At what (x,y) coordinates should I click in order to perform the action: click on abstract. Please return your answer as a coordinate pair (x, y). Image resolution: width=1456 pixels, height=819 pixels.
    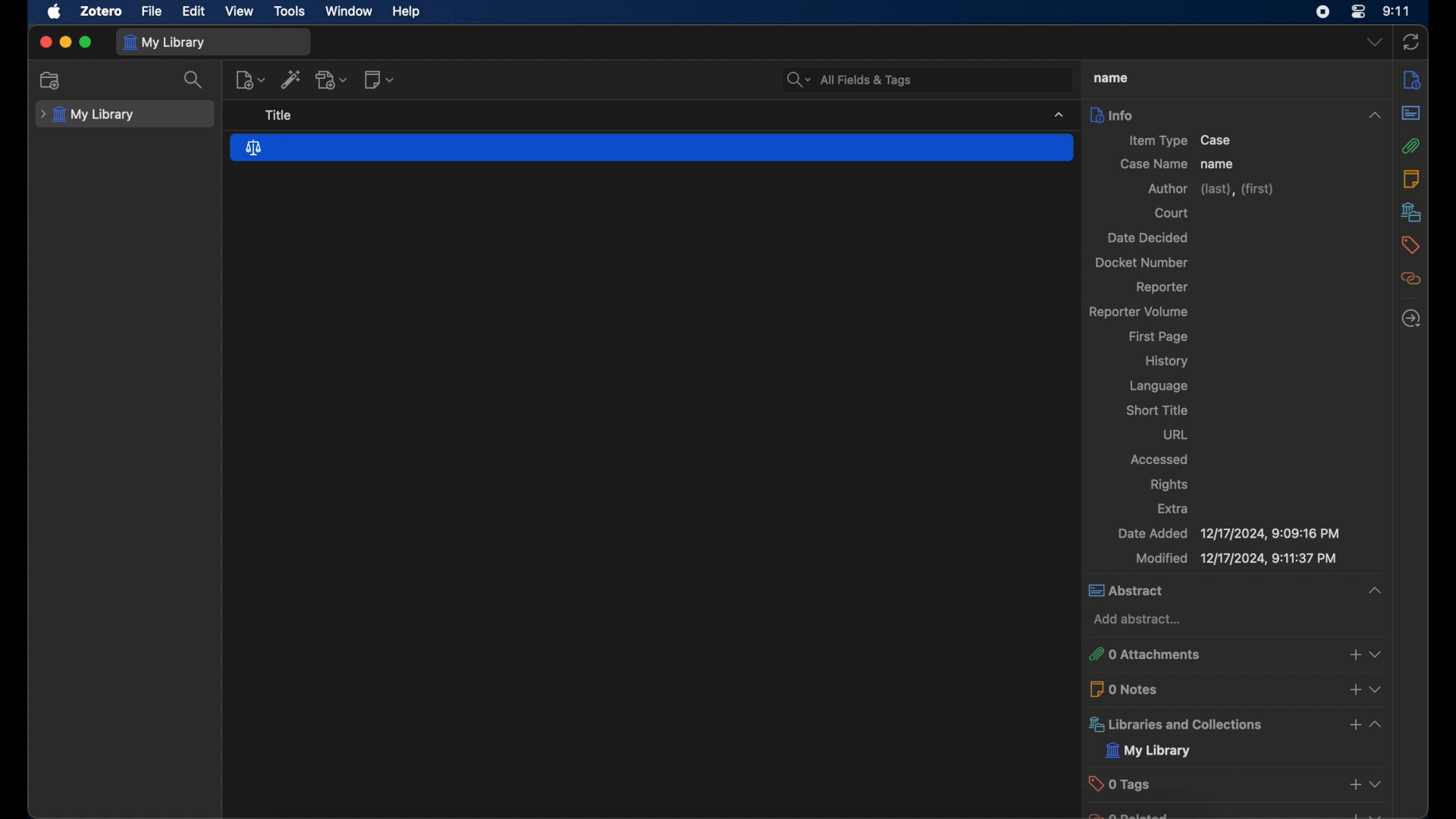
    Looking at the image, I should click on (1237, 590).